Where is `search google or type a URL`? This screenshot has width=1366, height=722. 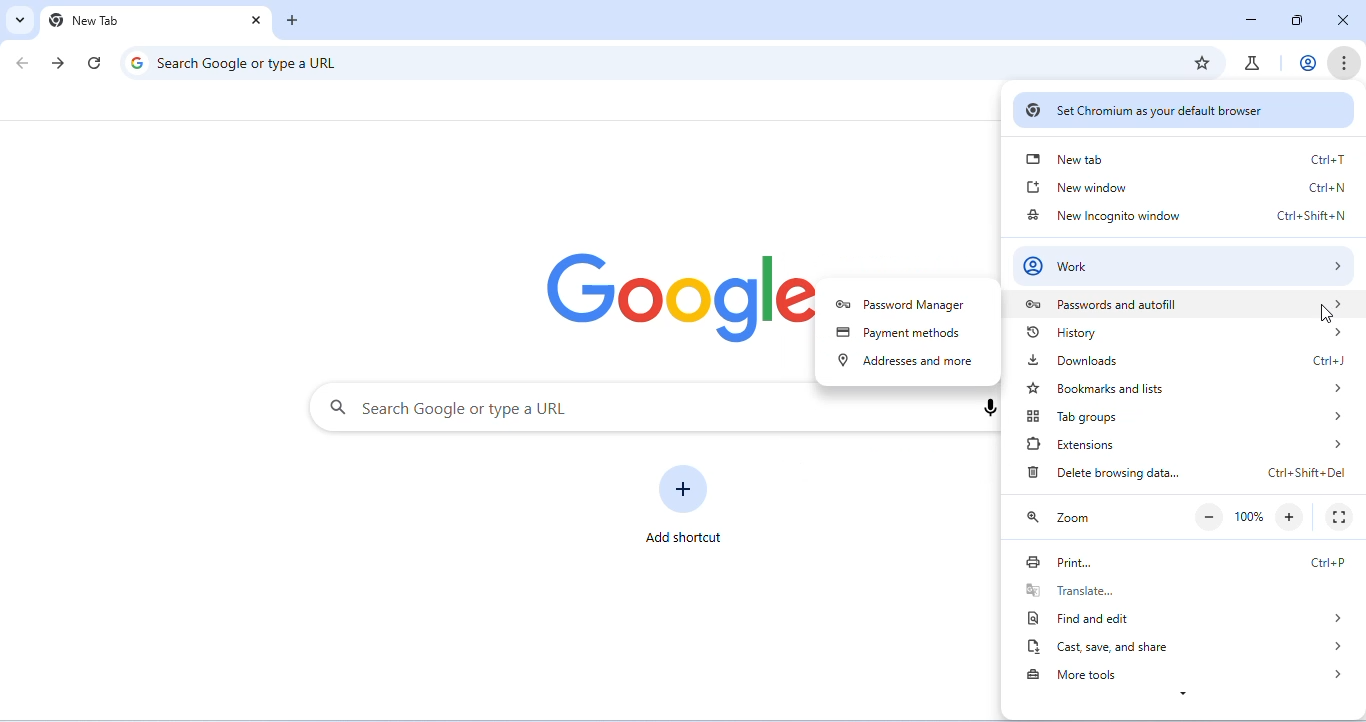 search google or type a URL is located at coordinates (643, 408).